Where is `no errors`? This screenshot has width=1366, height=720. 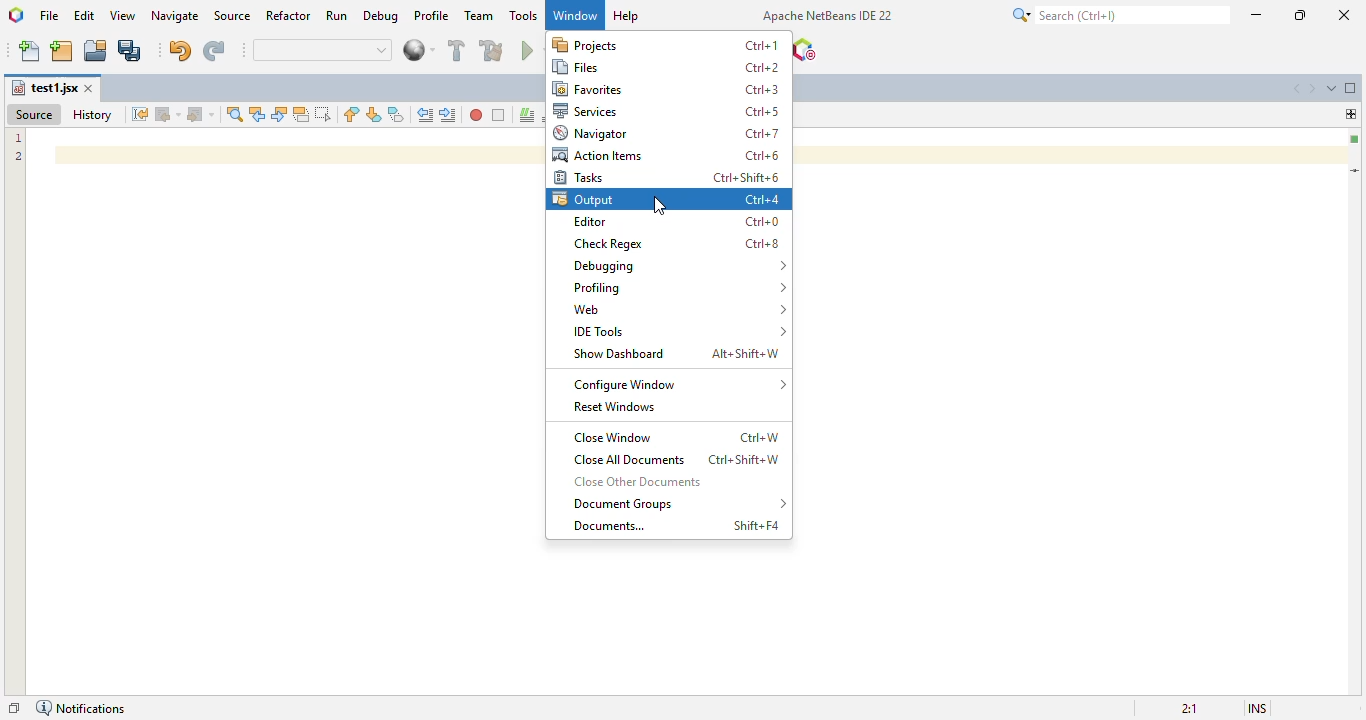 no errors is located at coordinates (1354, 139).